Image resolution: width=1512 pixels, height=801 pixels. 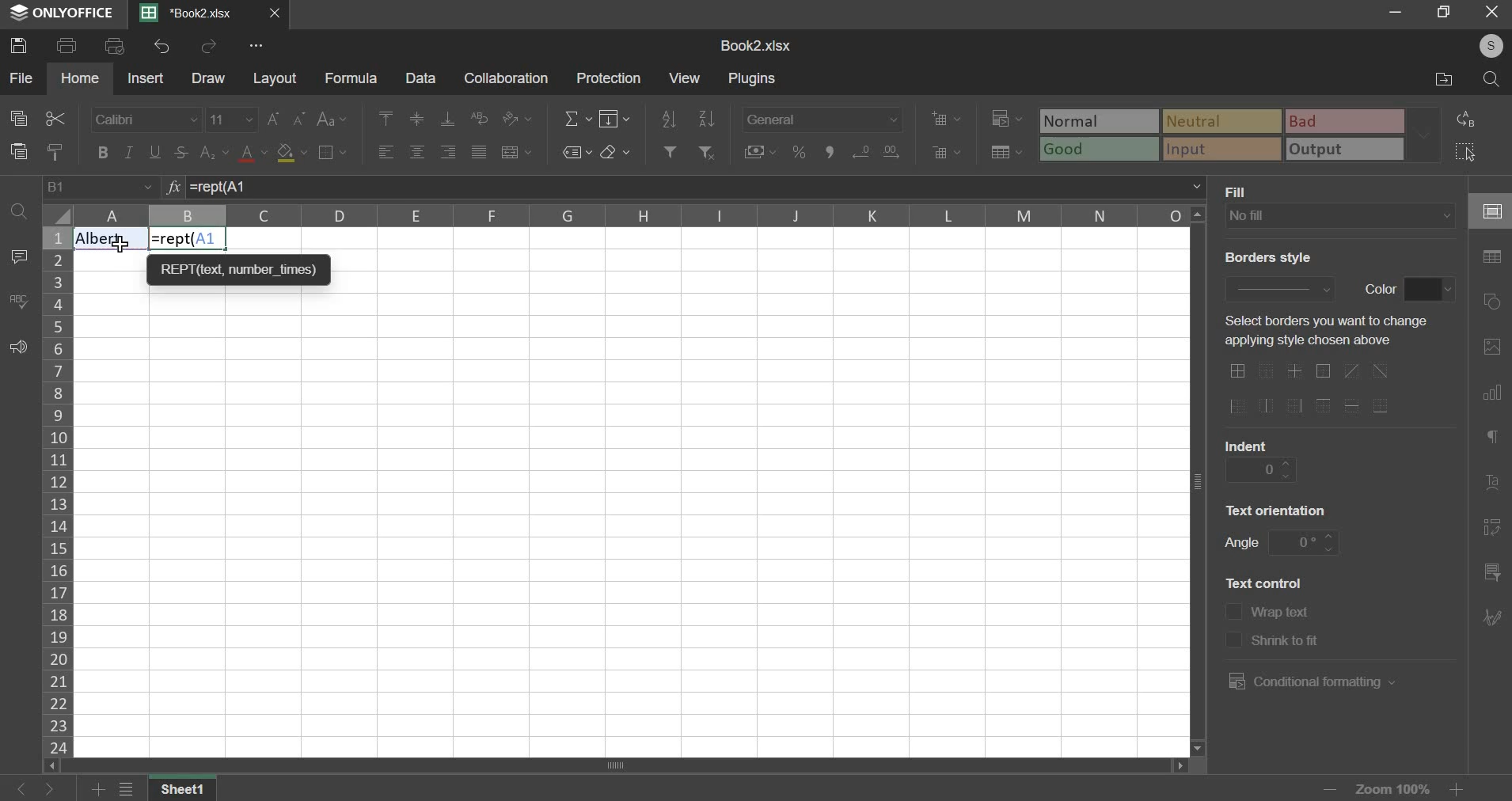 What do you see at coordinates (1006, 152) in the screenshot?
I see `save as table` at bounding box center [1006, 152].